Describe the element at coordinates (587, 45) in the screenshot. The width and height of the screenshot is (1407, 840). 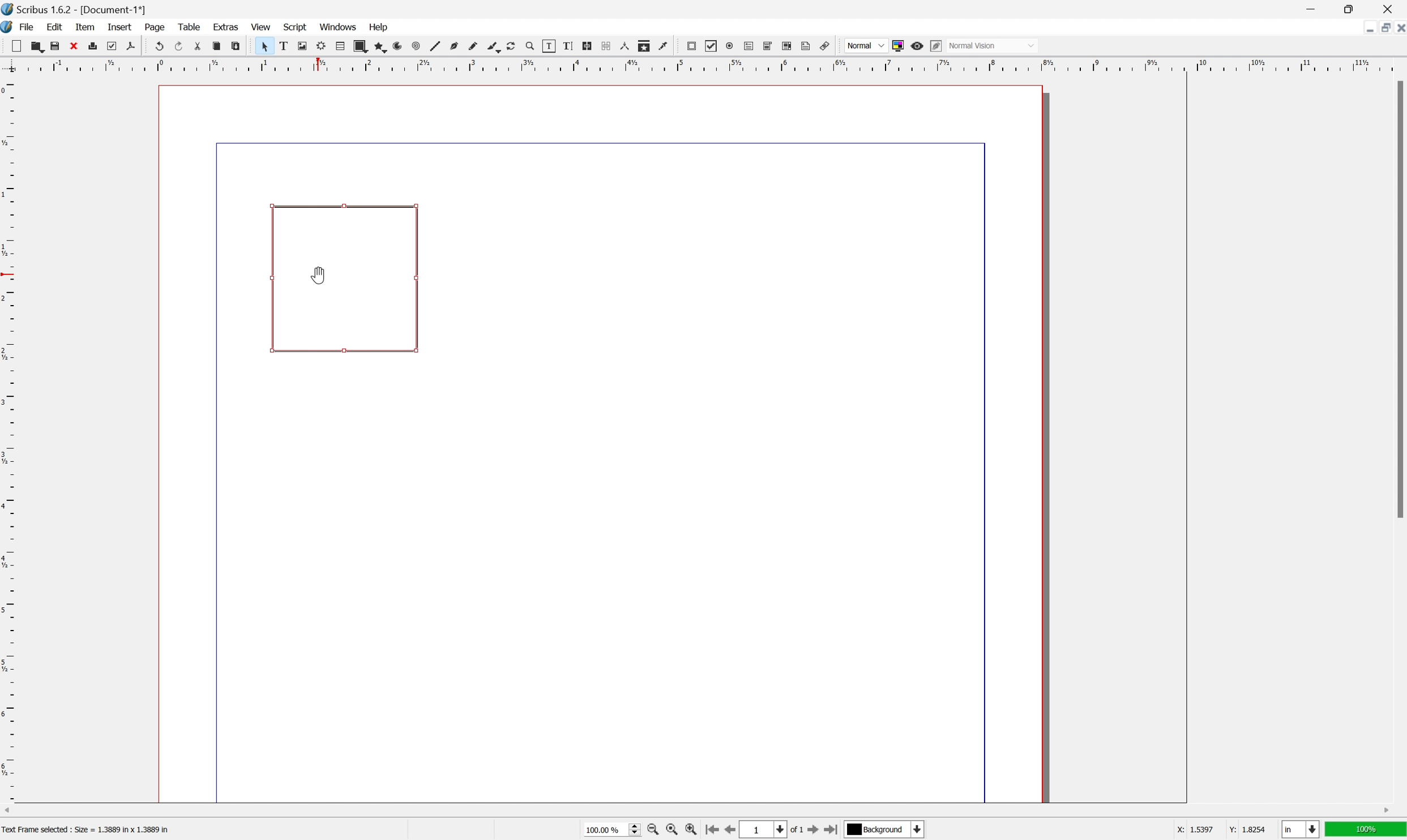
I see `link text frames` at that location.